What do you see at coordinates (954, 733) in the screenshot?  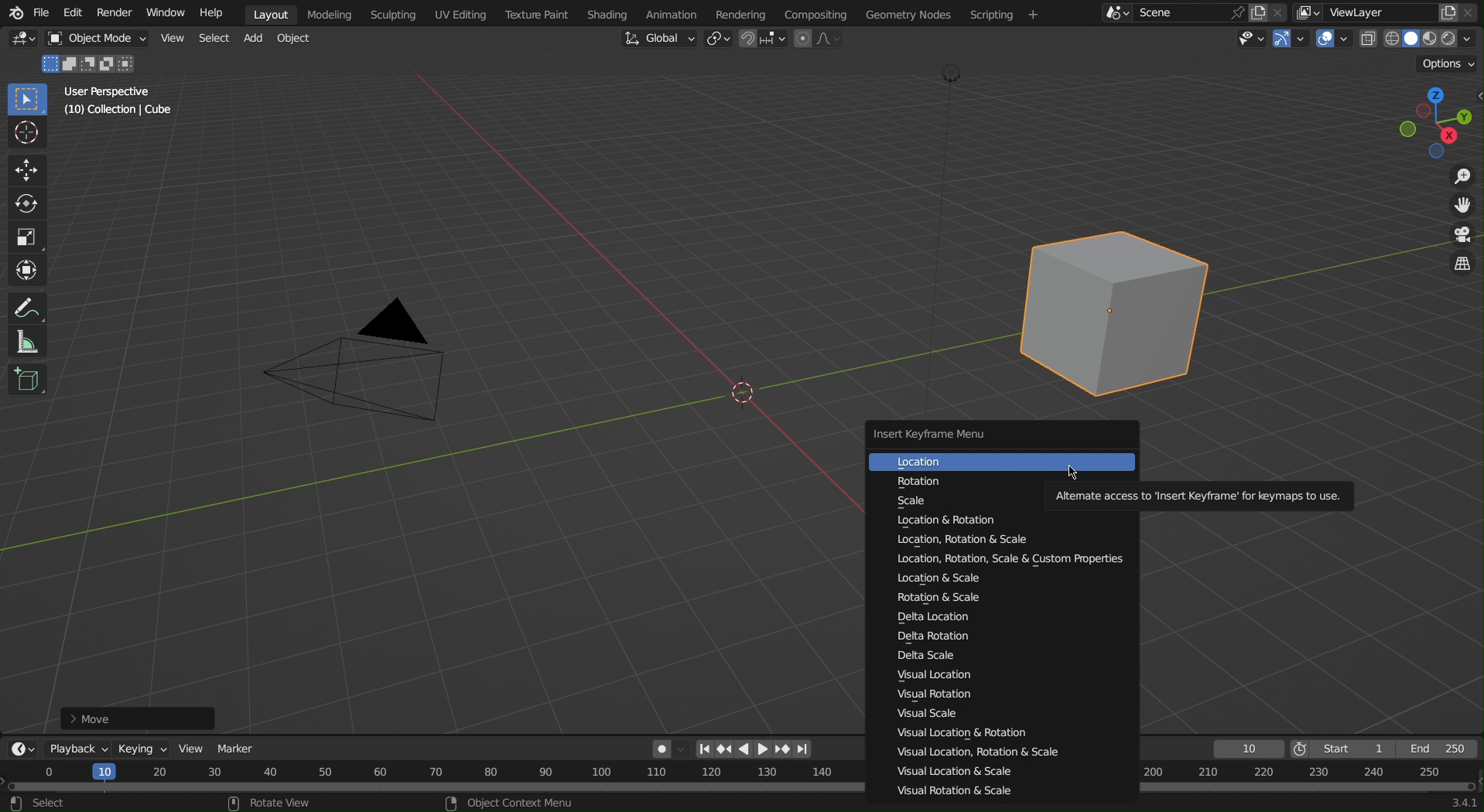 I see `Visual Location & Rotation` at bounding box center [954, 733].